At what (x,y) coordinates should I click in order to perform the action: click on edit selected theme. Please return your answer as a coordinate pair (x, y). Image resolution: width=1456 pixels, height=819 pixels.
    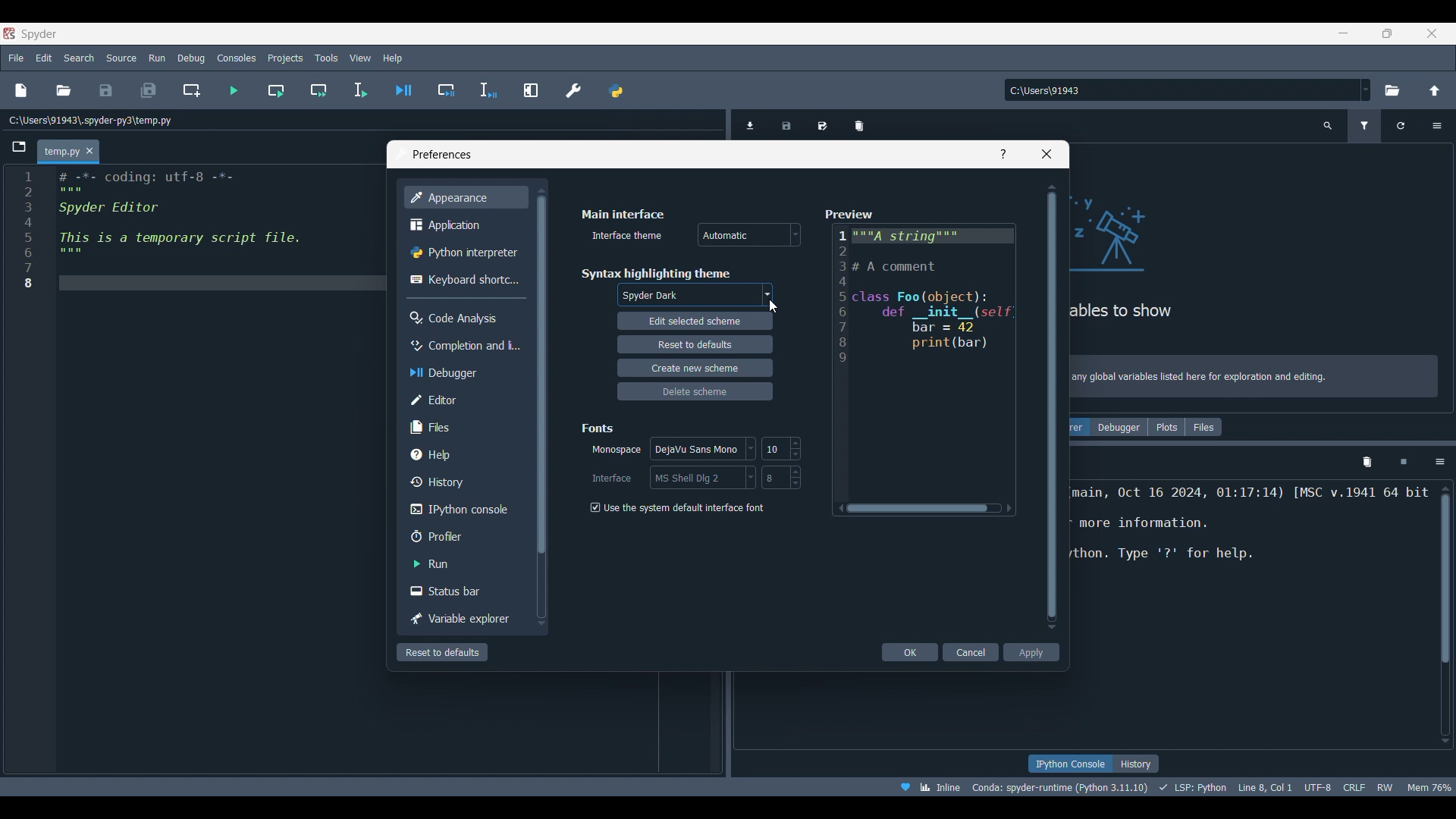
    Looking at the image, I should click on (695, 322).